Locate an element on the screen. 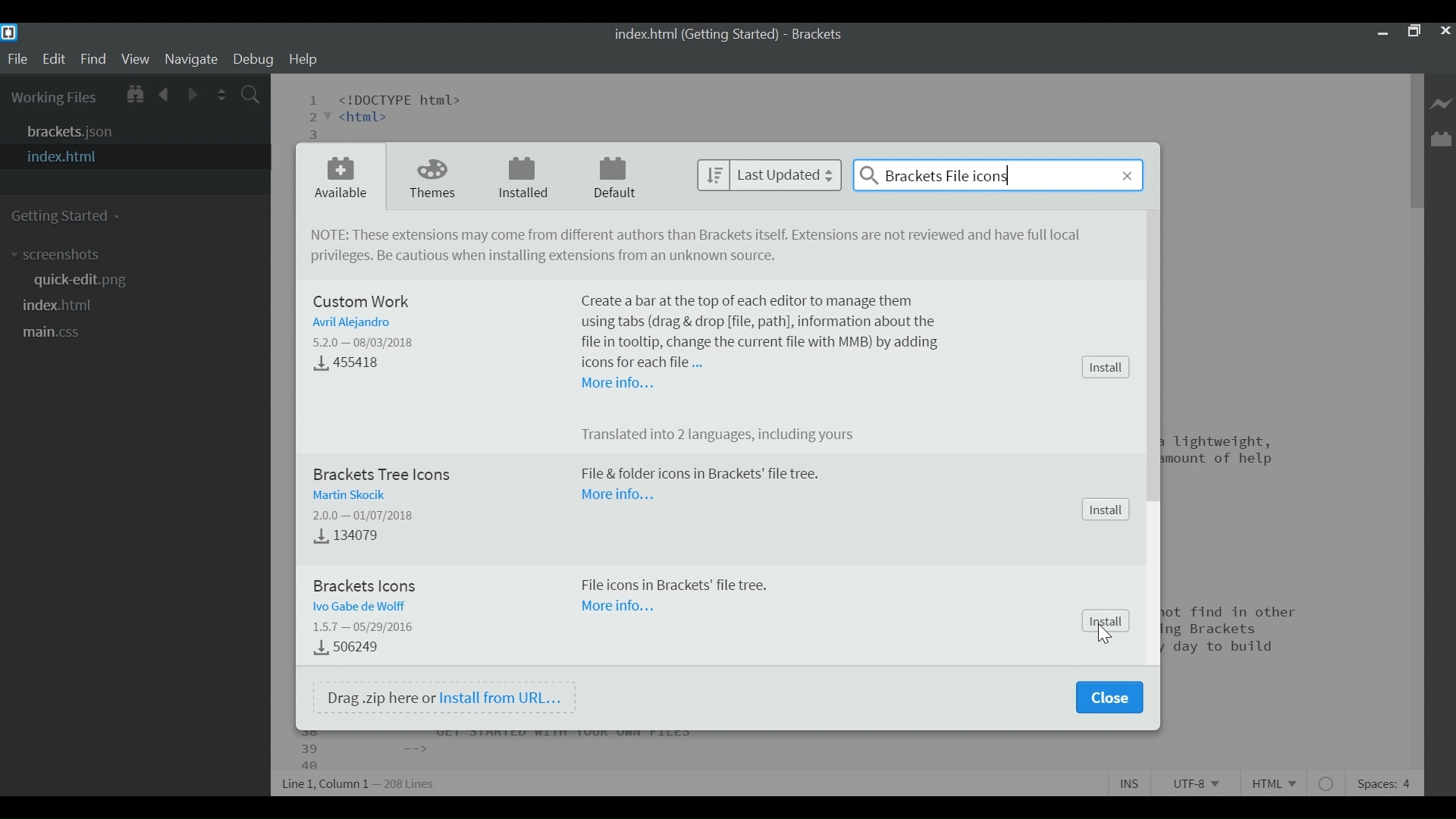 Image resolution: width=1456 pixels, height=819 pixels. File & Folder icons in Brackets file tree is located at coordinates (699, 475).